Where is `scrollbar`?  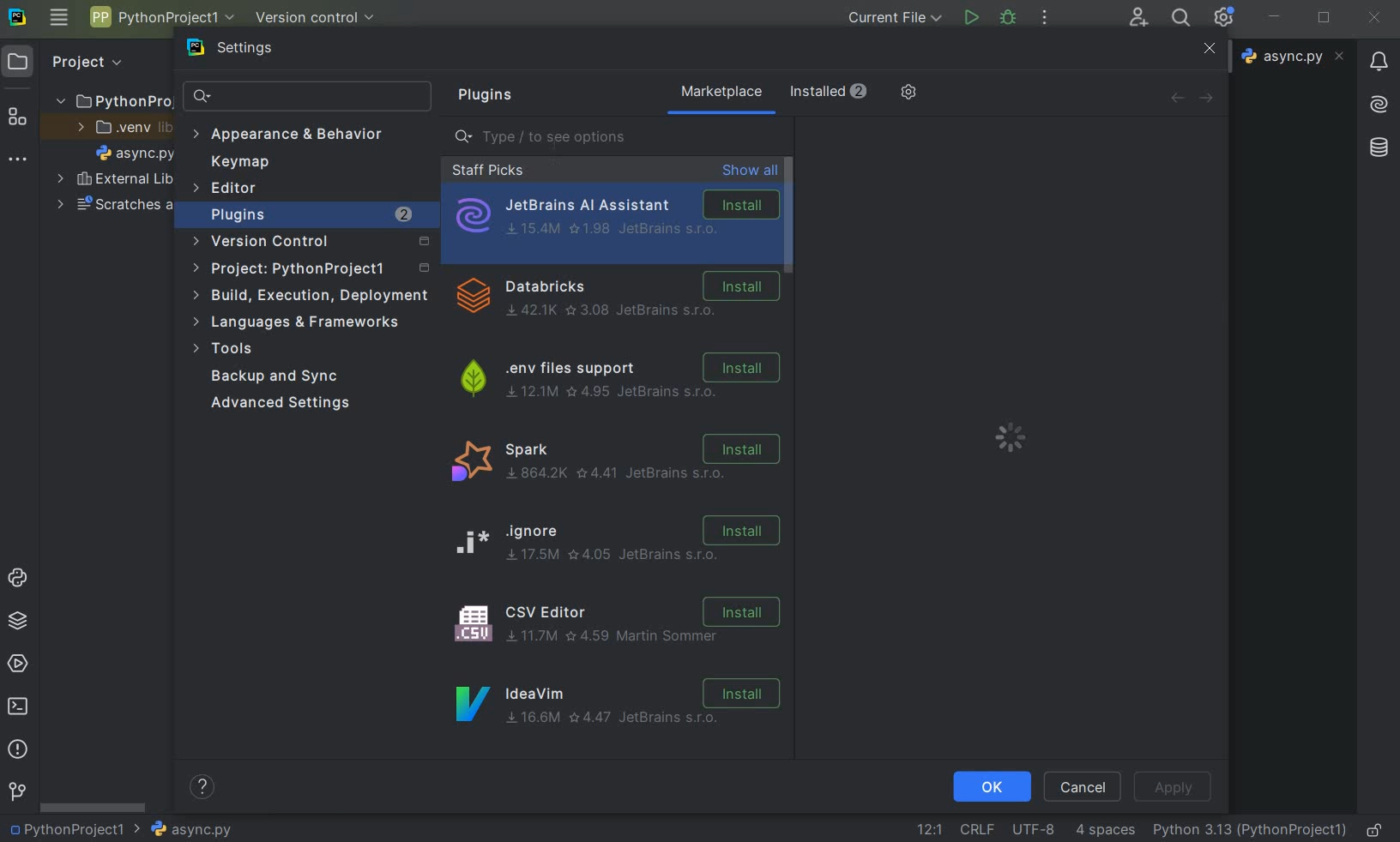 scrollbar is located at coordinates (94, 806).